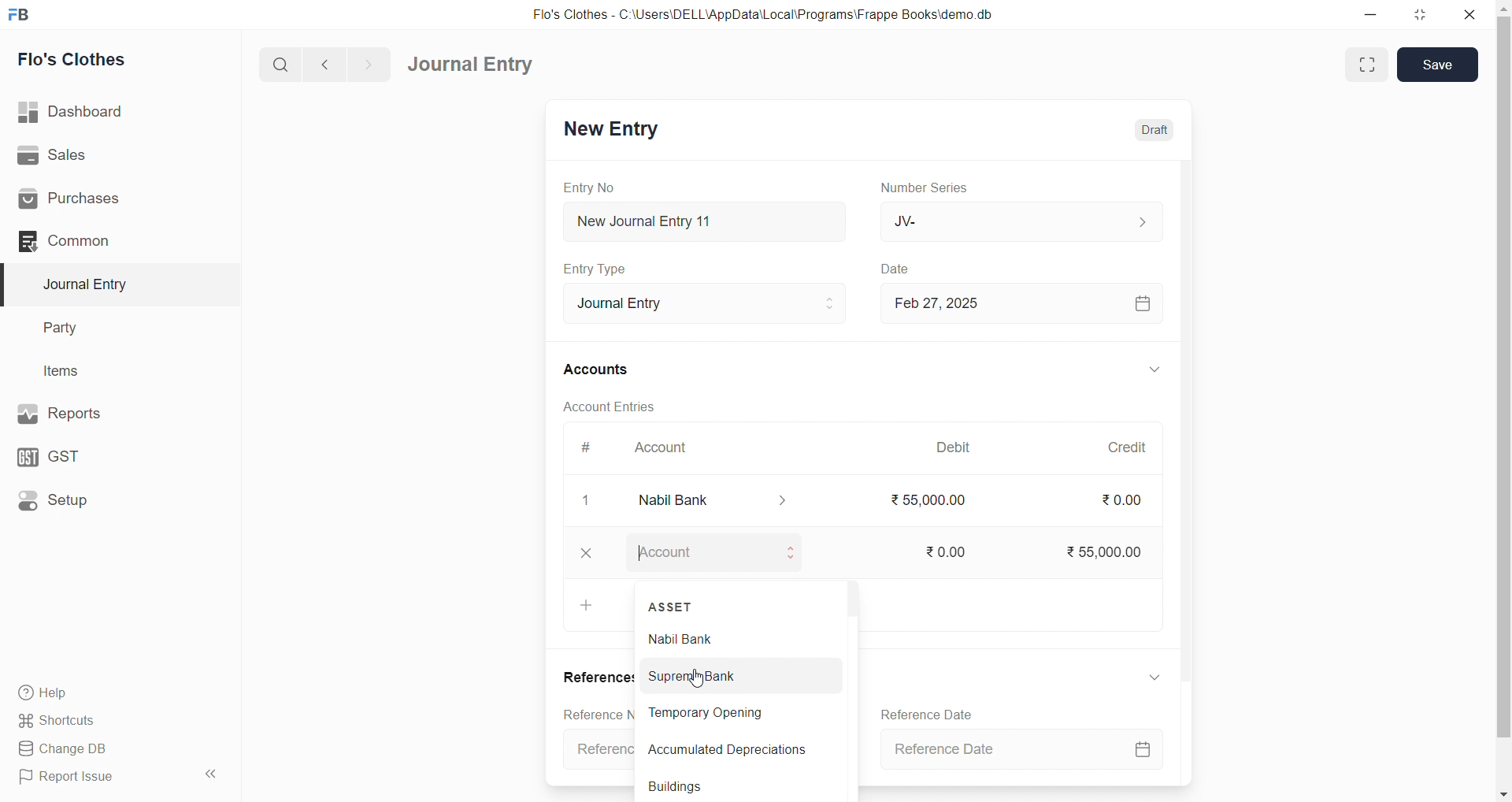 The image size is (1512, 802). I want to click on Account Entries, so click(619, 405).